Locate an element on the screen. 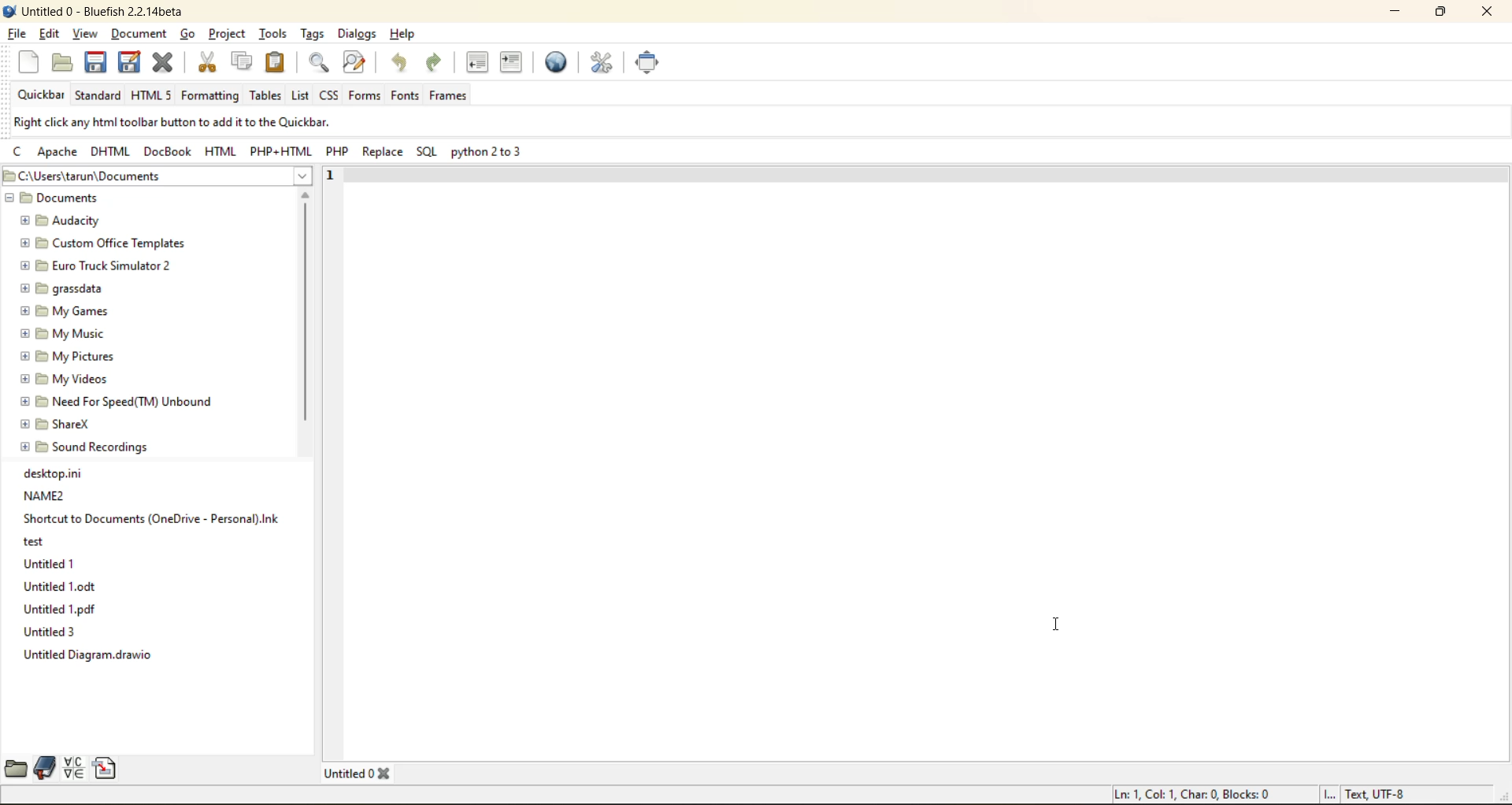 The height and width of the screenshot is (805, 1512). find is located at coordinates (322, 65).